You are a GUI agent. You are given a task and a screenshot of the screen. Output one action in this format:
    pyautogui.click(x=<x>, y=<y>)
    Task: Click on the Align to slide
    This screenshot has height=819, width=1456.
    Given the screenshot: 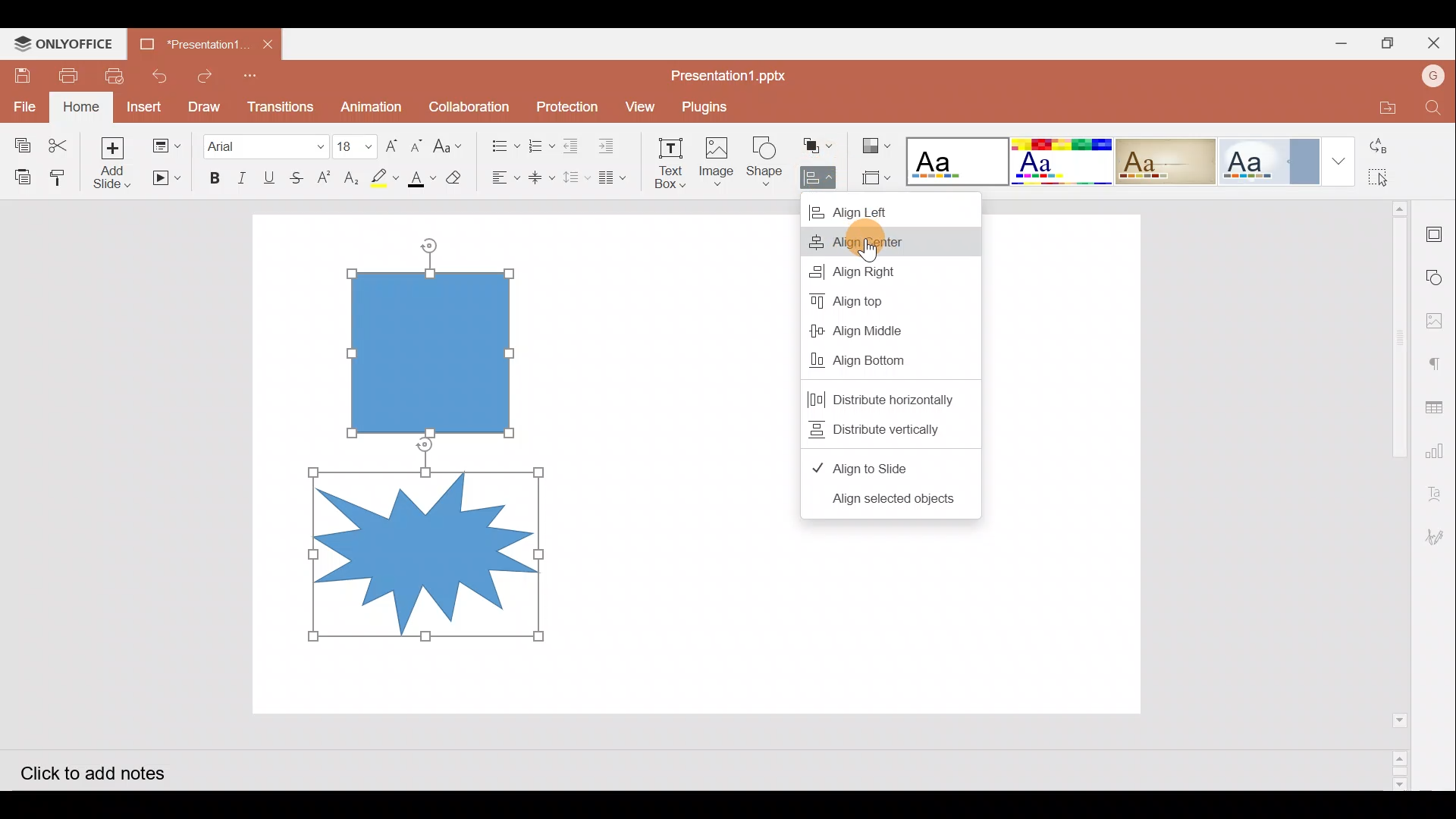 What is the action you would take?
    pyautogui.click(x=870, y=467)
    